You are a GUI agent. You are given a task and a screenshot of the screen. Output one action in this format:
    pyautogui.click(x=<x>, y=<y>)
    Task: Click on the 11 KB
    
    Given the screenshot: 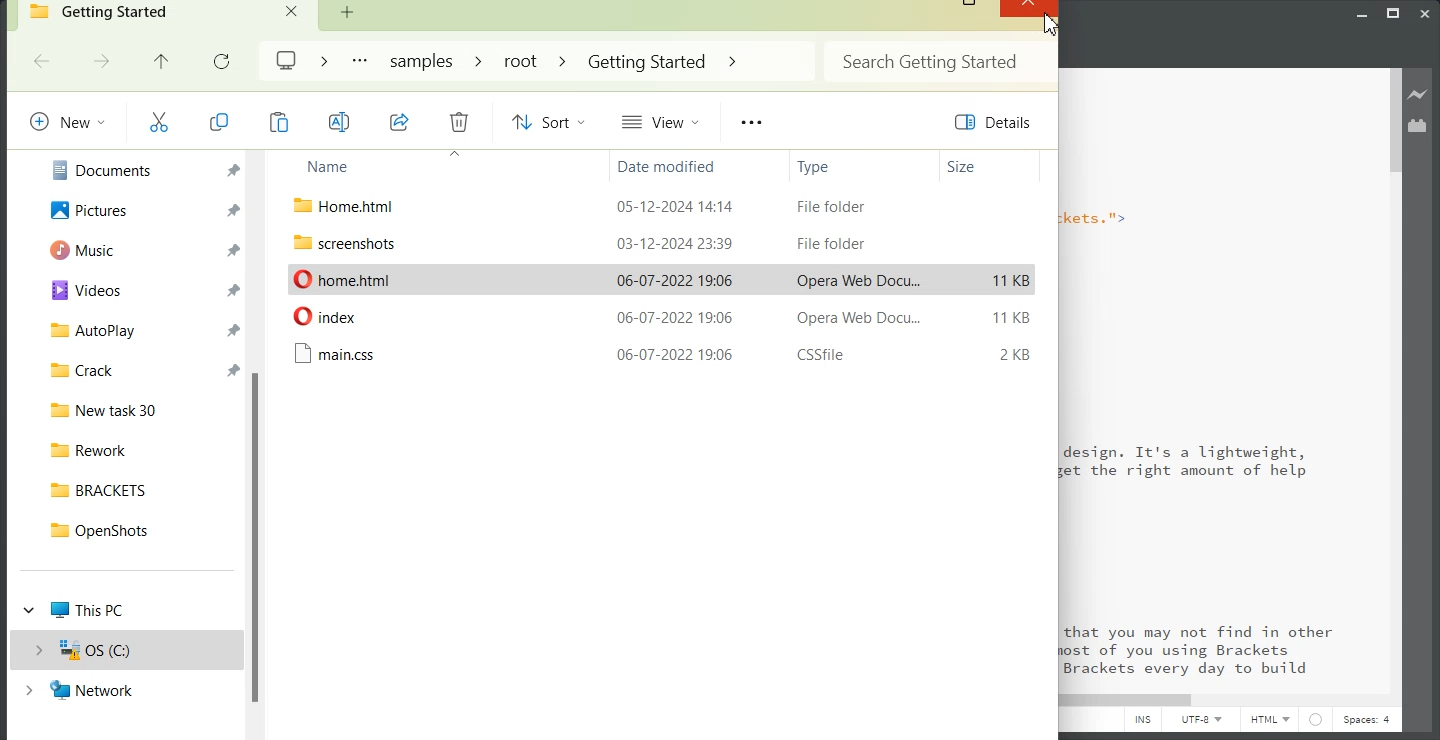 What is the action you would take?
    pyautogui.click(x=1012, y=317)
    